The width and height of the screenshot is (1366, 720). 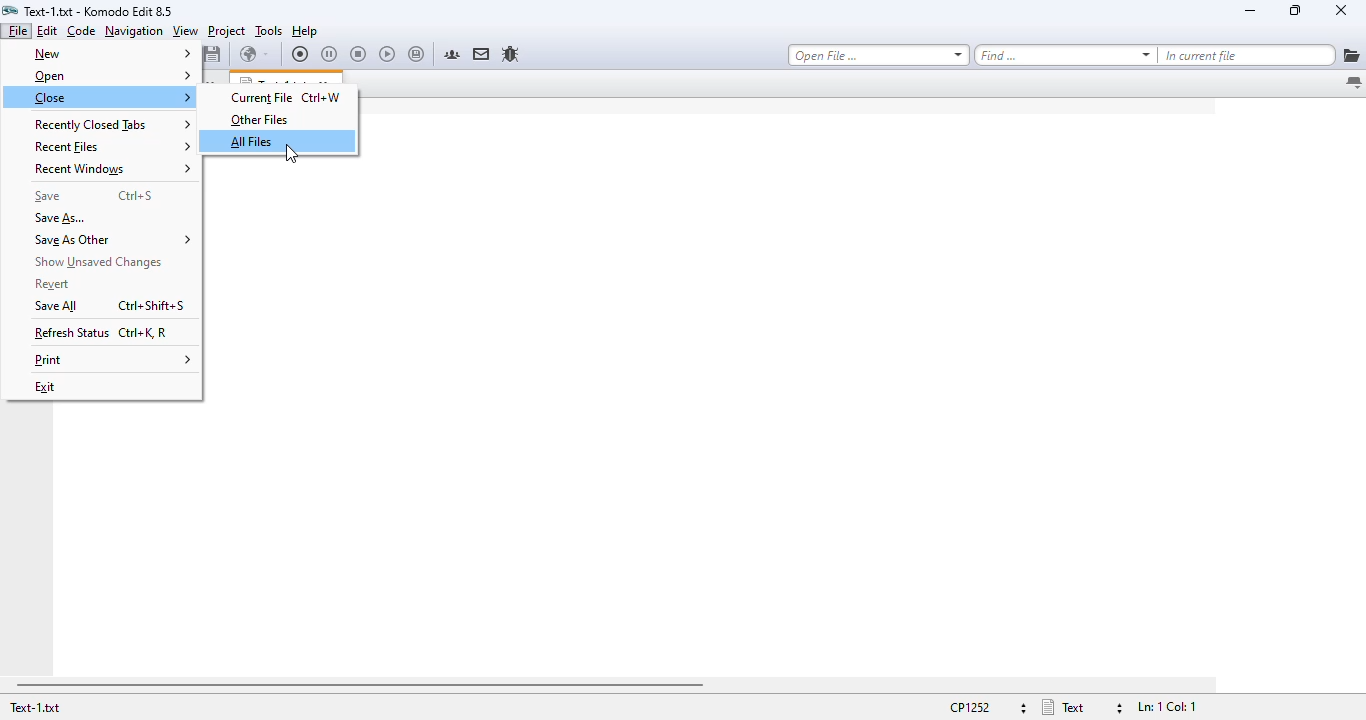 What do you see at coordinates (1247, 55) in the screenshot?
I see `in current file` at bounding box center [1247, 55].